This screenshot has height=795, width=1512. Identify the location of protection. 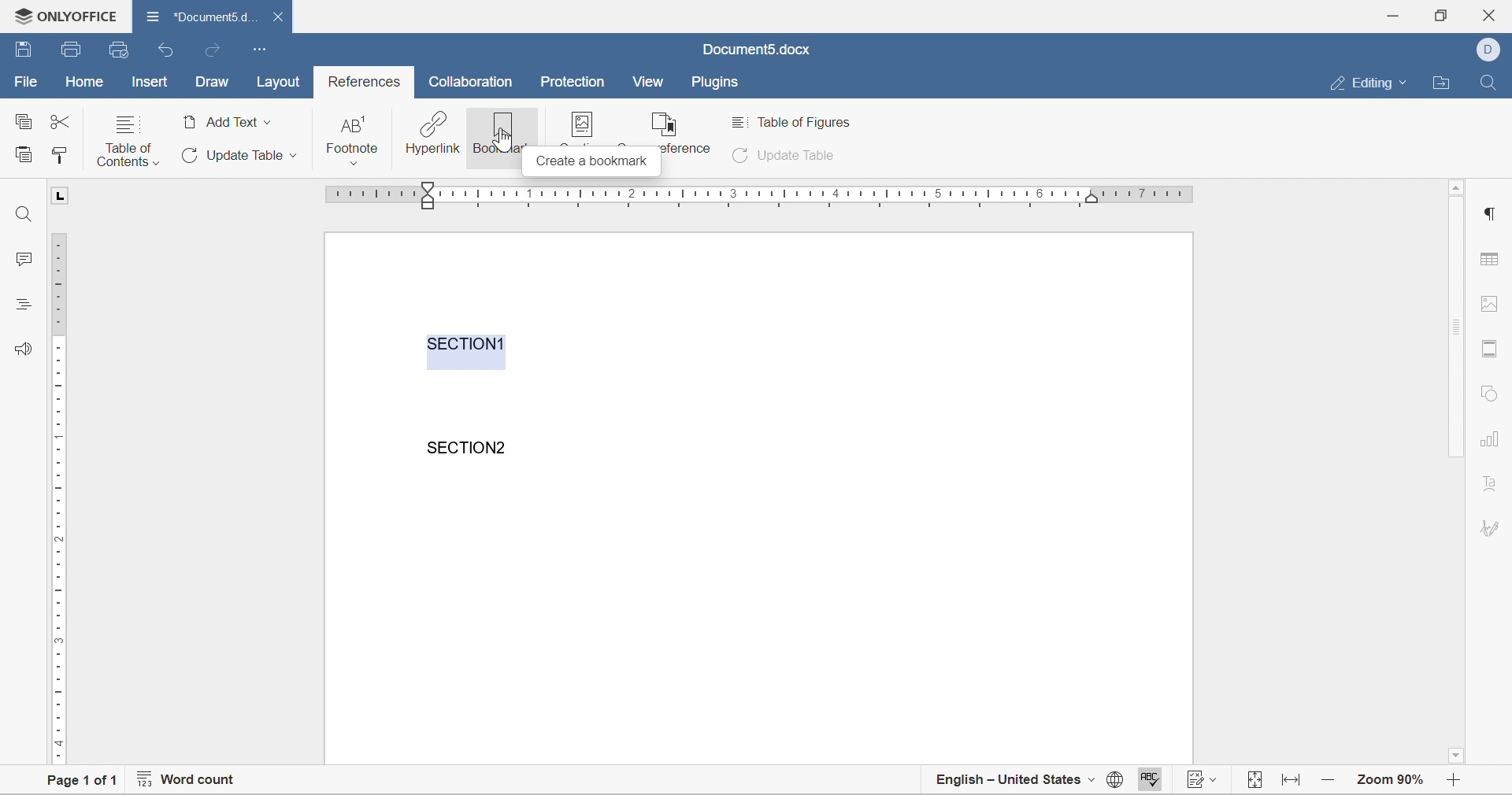
(573, 81).